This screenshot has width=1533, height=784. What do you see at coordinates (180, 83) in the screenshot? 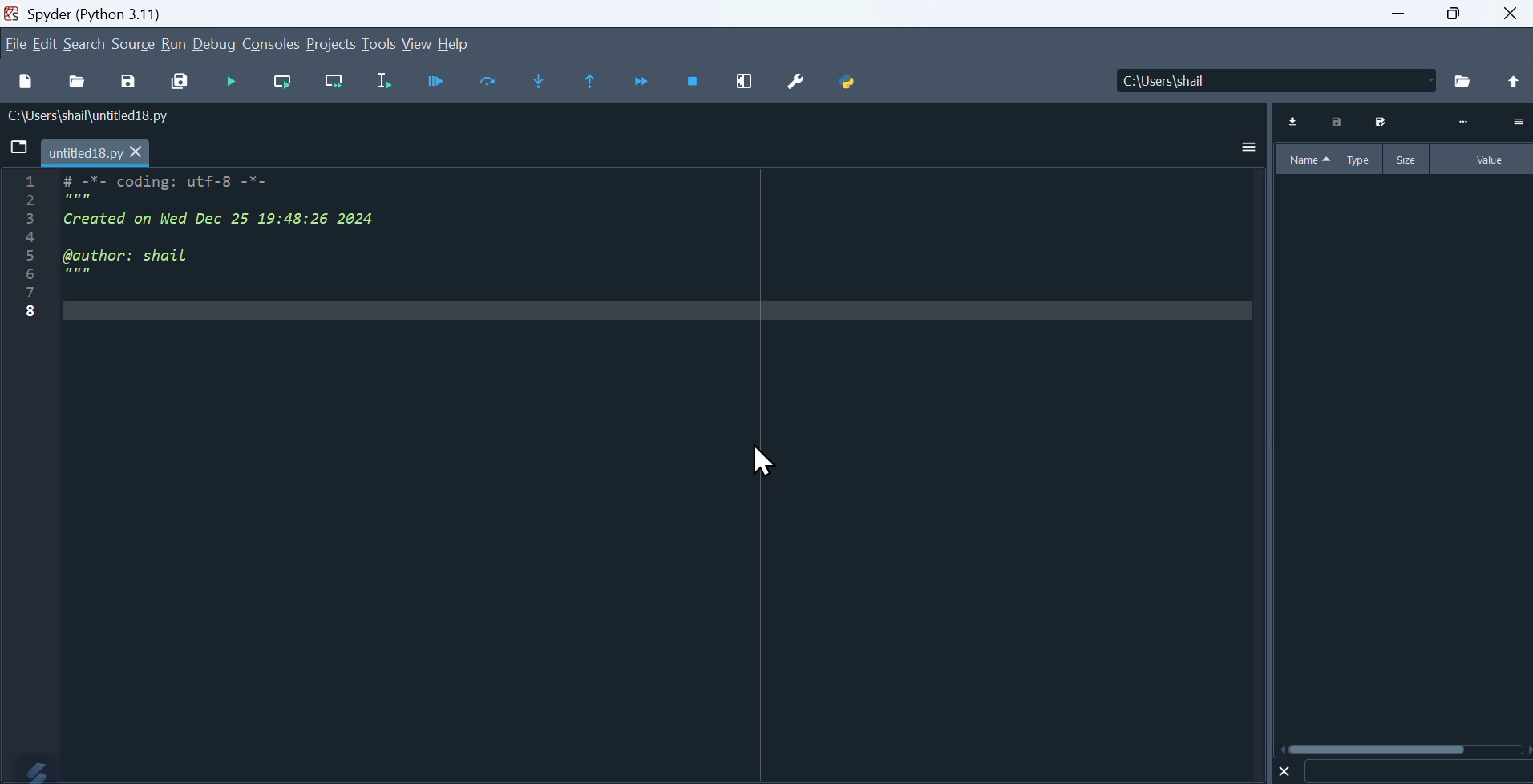
I see `Save all` at bounding box center [180, 83].